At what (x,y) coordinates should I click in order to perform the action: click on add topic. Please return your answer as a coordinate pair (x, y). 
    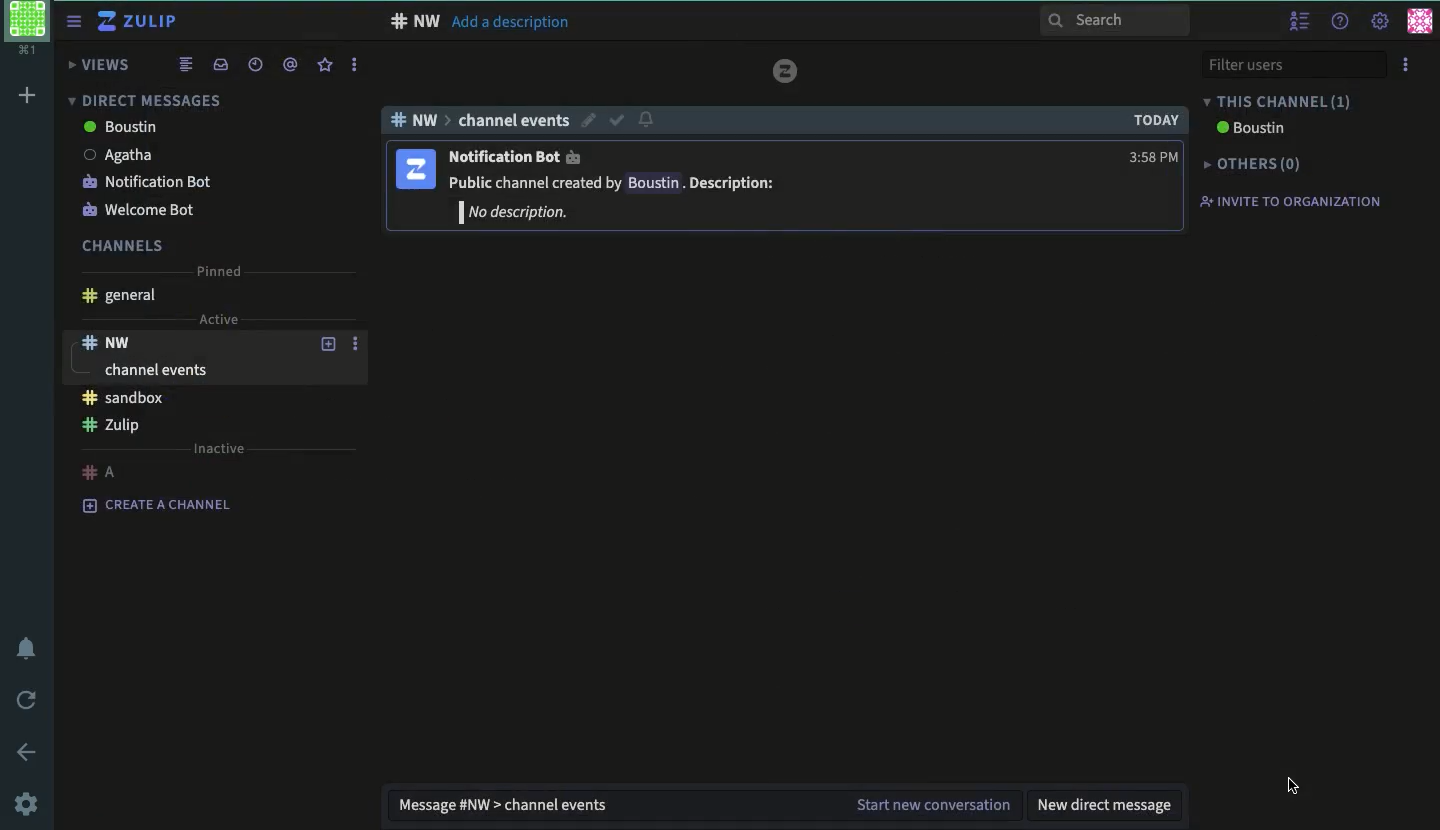
    Looking at the image, I should click on (328, 345).